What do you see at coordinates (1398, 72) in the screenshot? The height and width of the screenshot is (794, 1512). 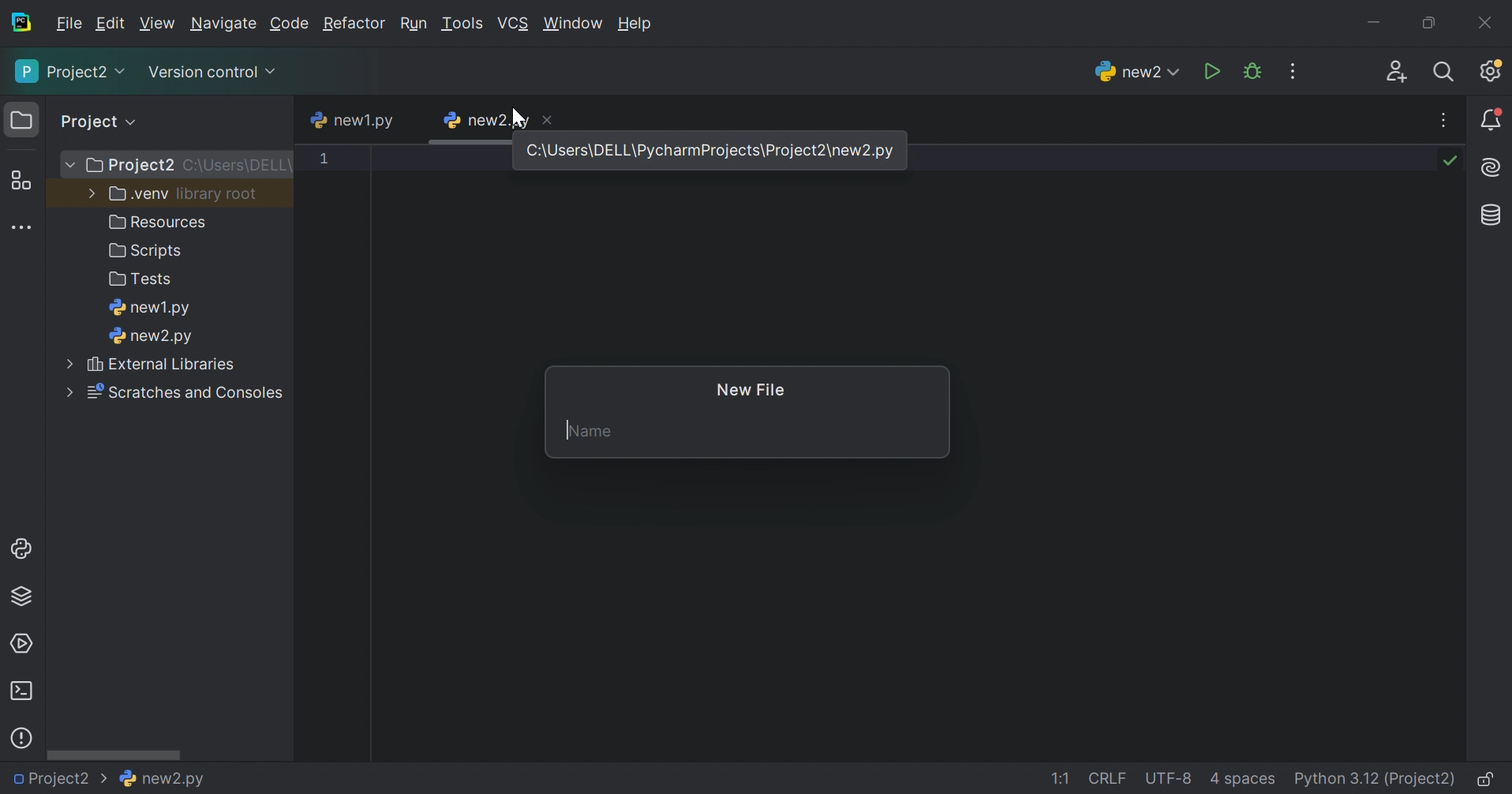 I see `Code with me` at bounding box center [1398, 72].